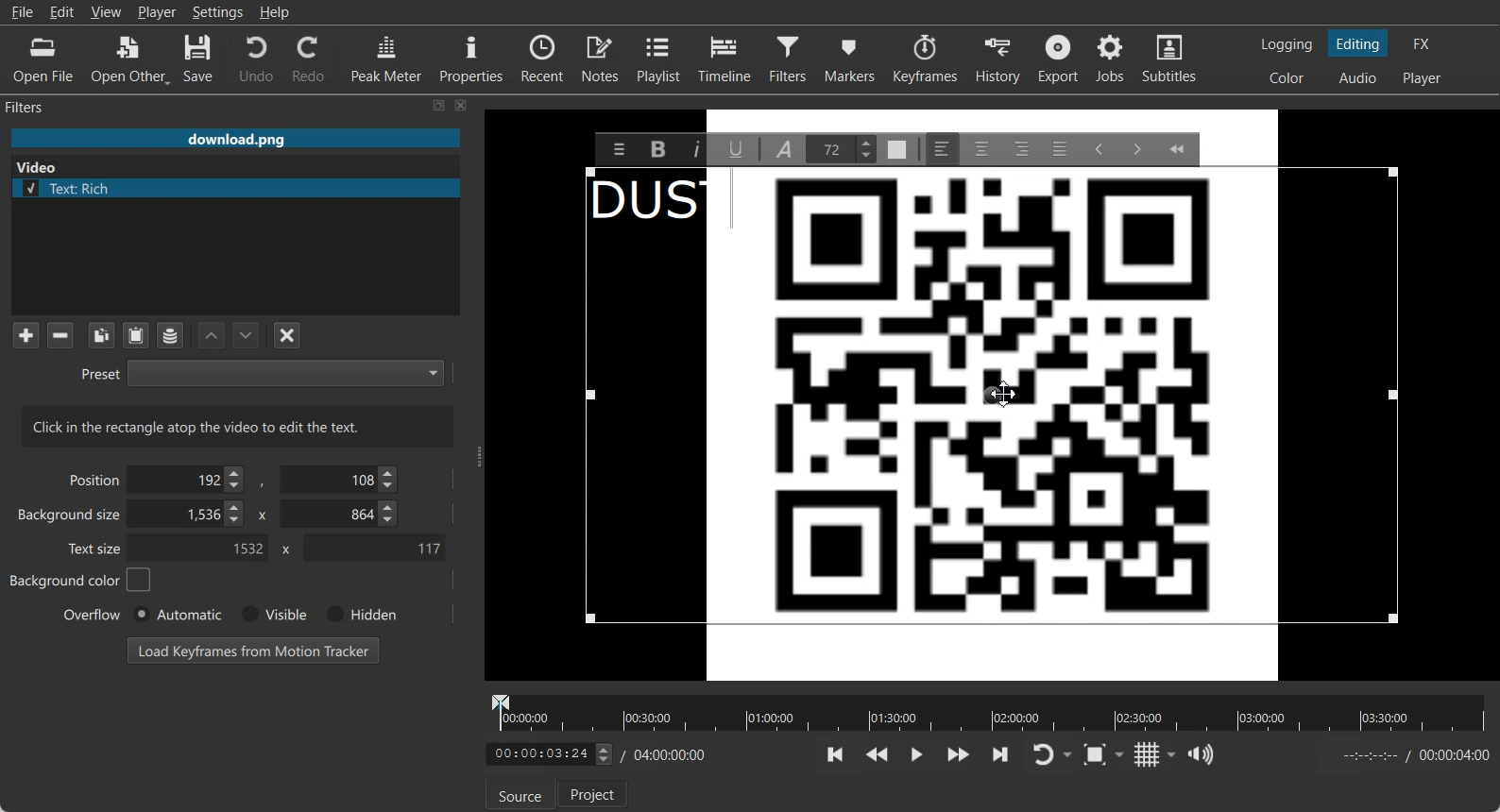 Image resolution: width=1500 pixels, height=812 pixels. I want to click on Text rich file, so click(243, 188).